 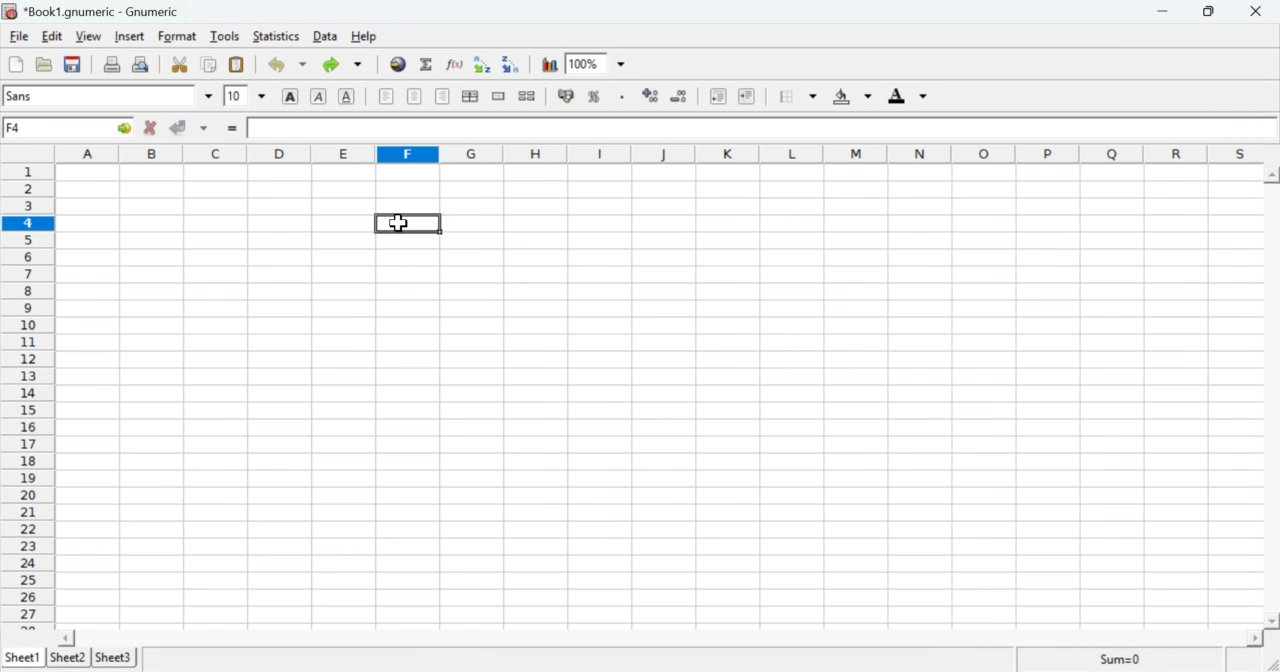 What do you see at coordinates (110, 64) in the screenshot?
I see `Print` at bounding box center [110, 64].